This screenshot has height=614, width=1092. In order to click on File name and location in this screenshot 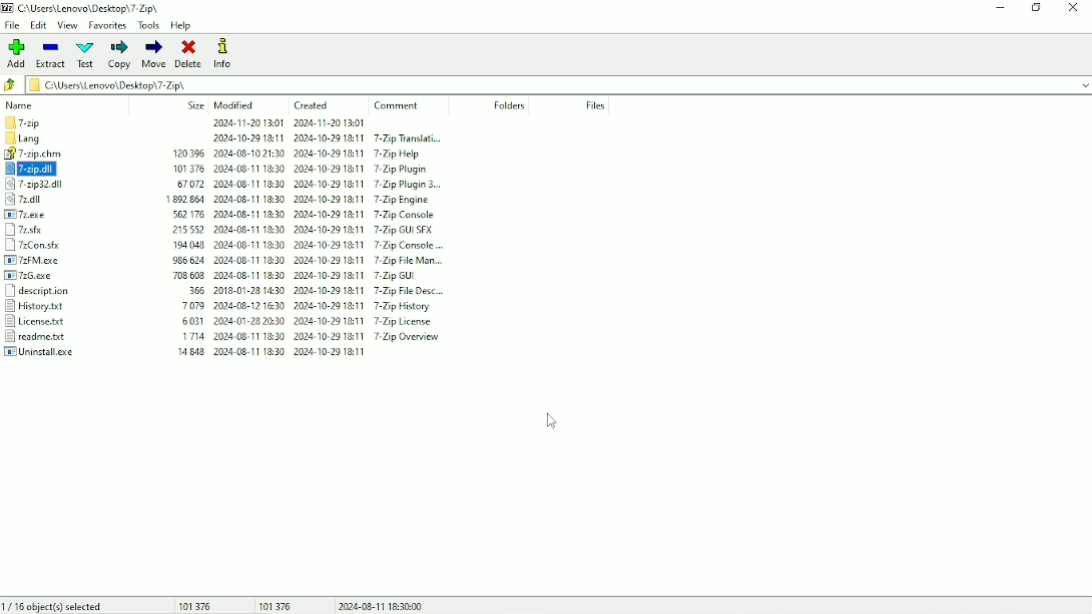, I will do `click(558, 85)`.